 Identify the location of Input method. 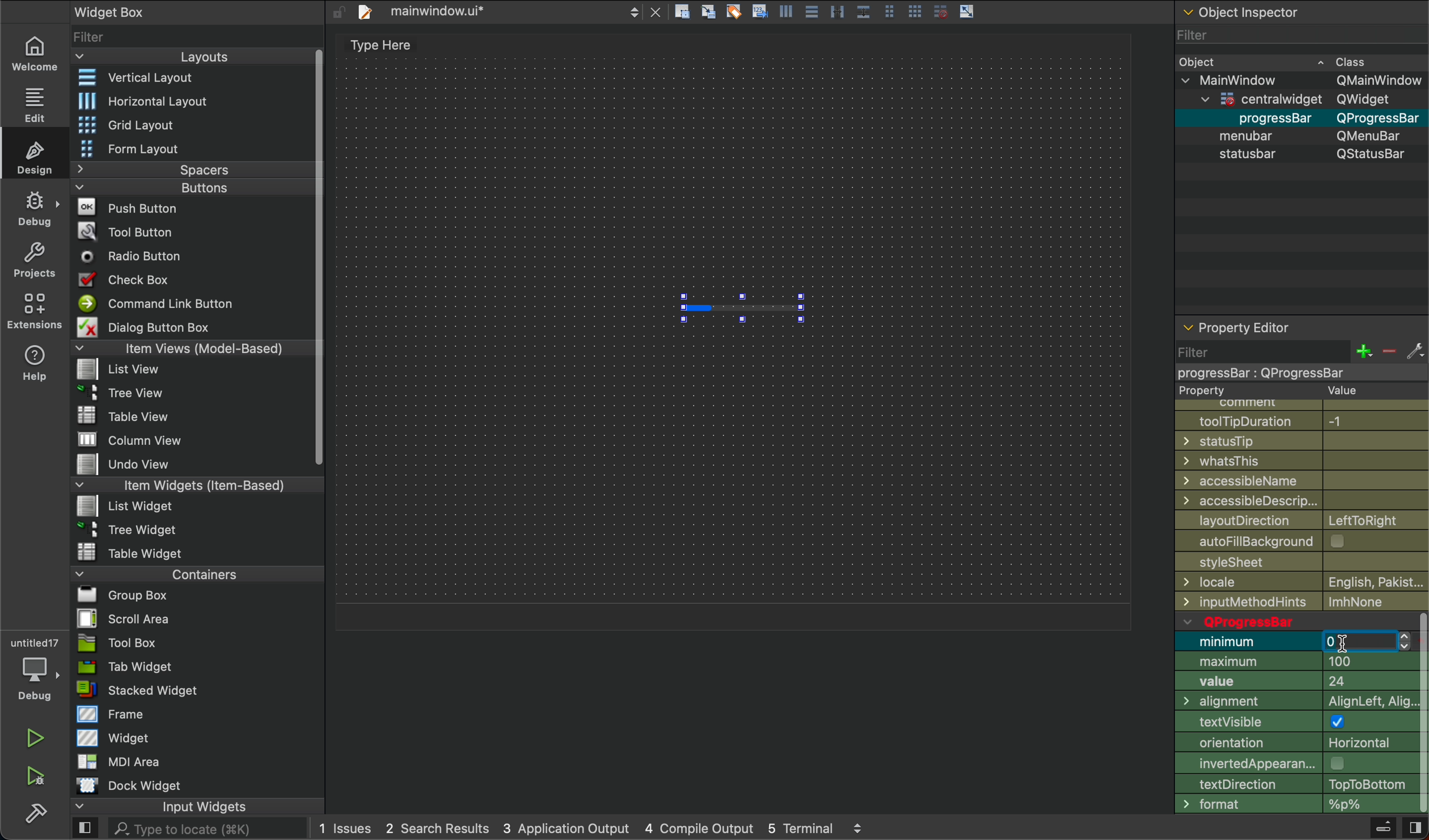
(1304, 602).